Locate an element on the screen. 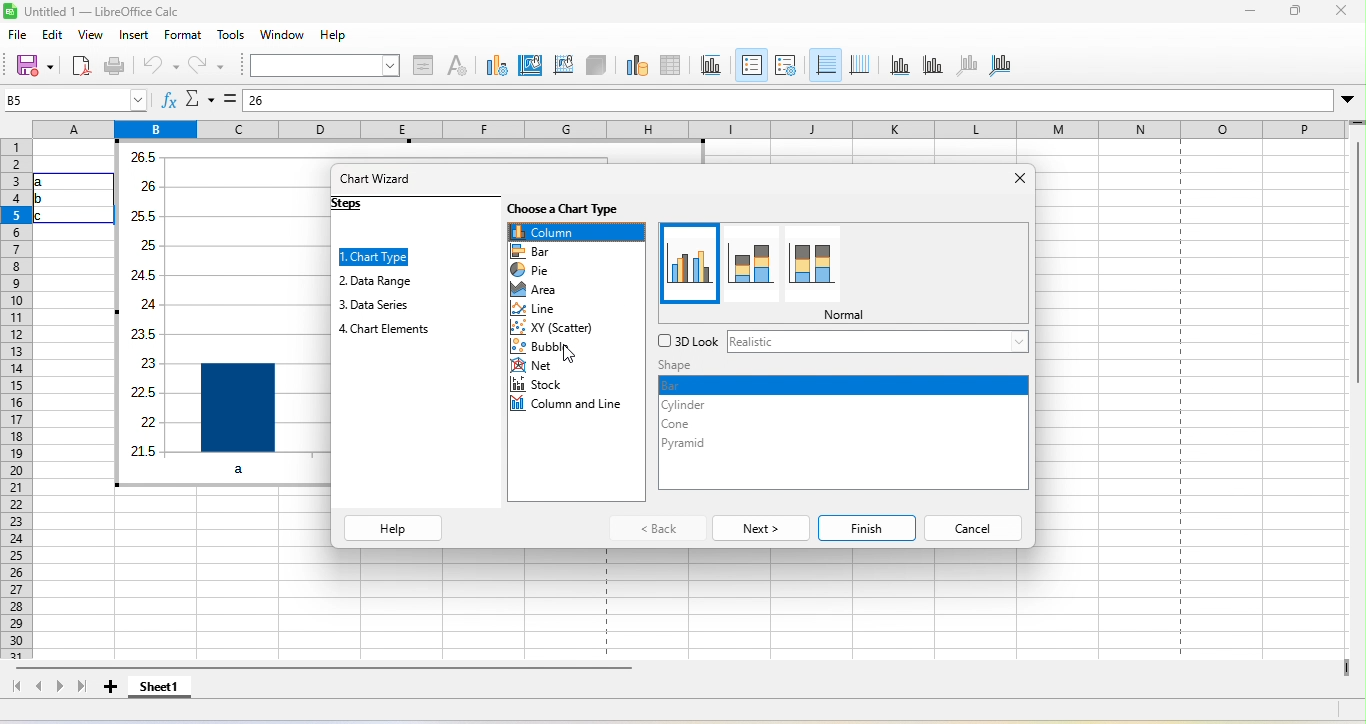  bar is located at coordinates (846, 385).